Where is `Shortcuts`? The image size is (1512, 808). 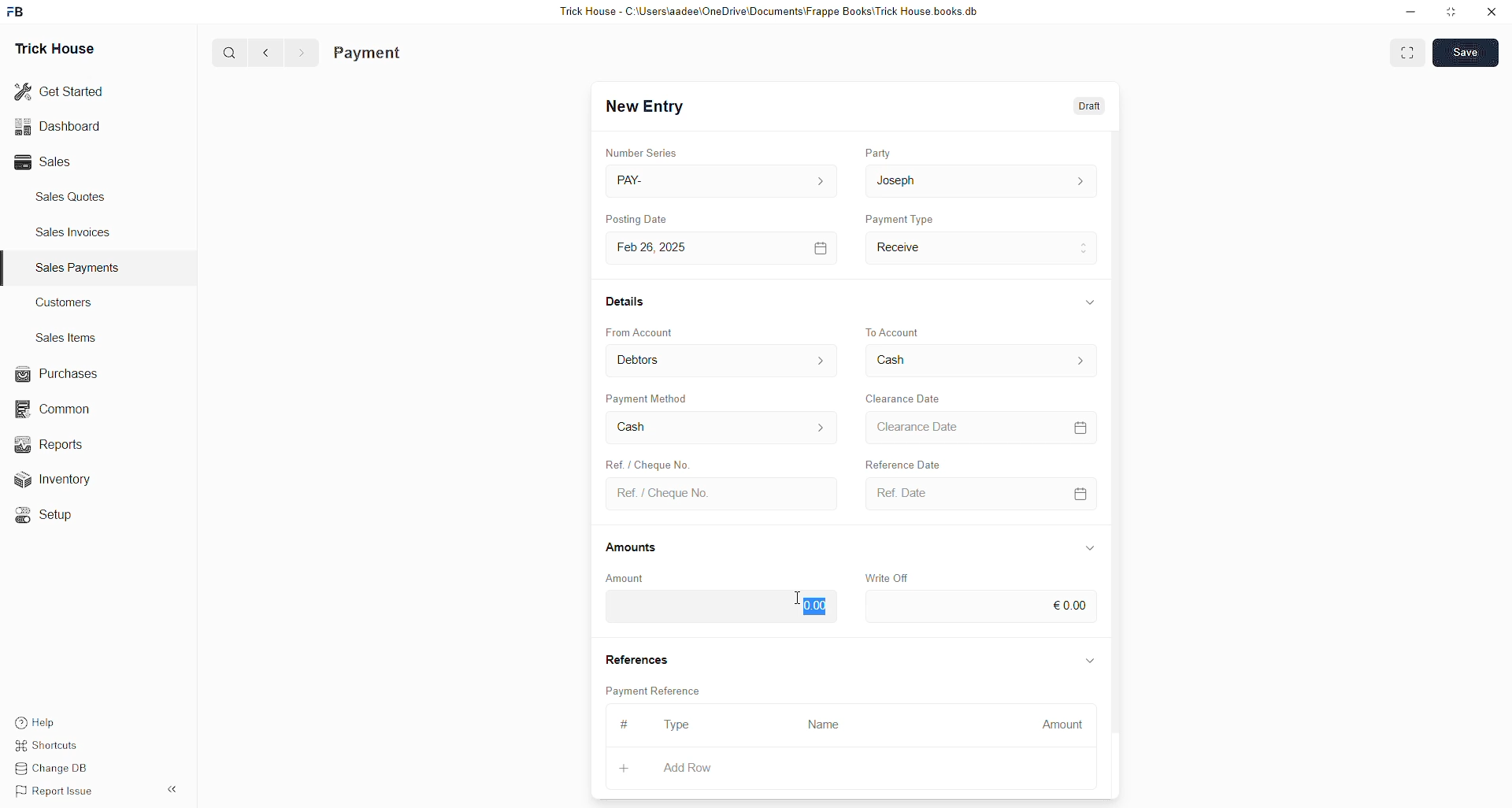 Shortcuts is located at coordinates (53, 743).